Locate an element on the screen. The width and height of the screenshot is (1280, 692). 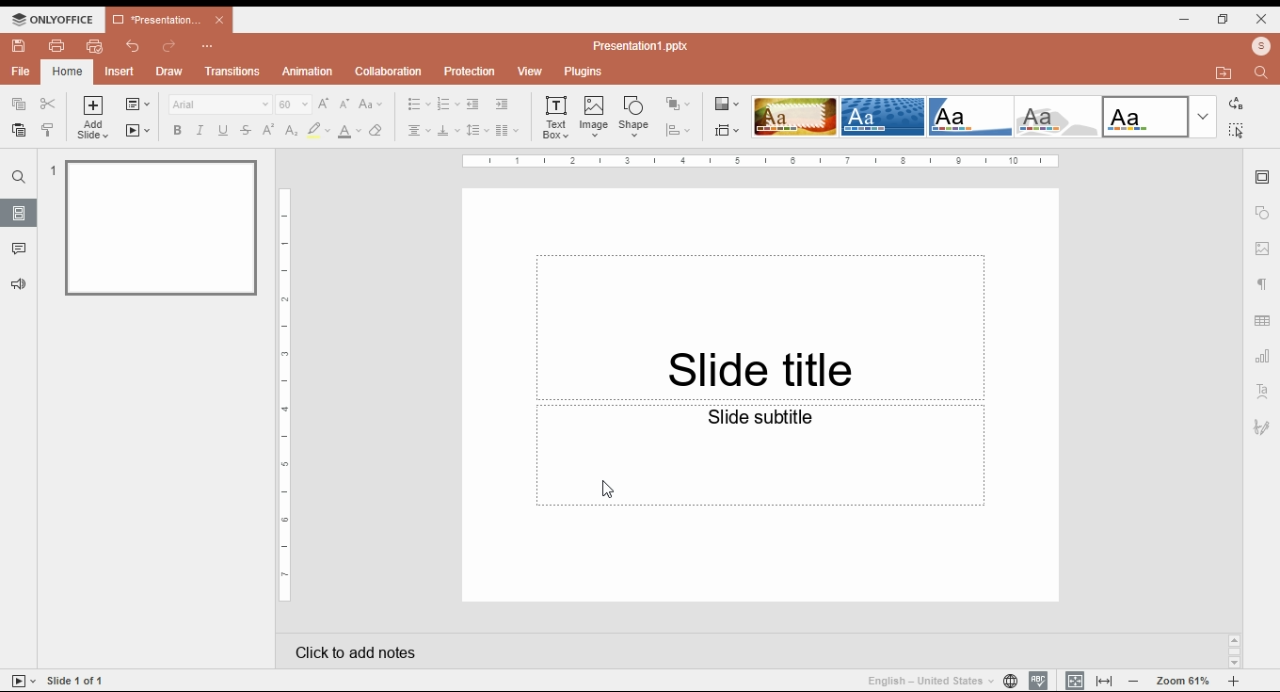
change slide size is located at coordinates (727, 130).